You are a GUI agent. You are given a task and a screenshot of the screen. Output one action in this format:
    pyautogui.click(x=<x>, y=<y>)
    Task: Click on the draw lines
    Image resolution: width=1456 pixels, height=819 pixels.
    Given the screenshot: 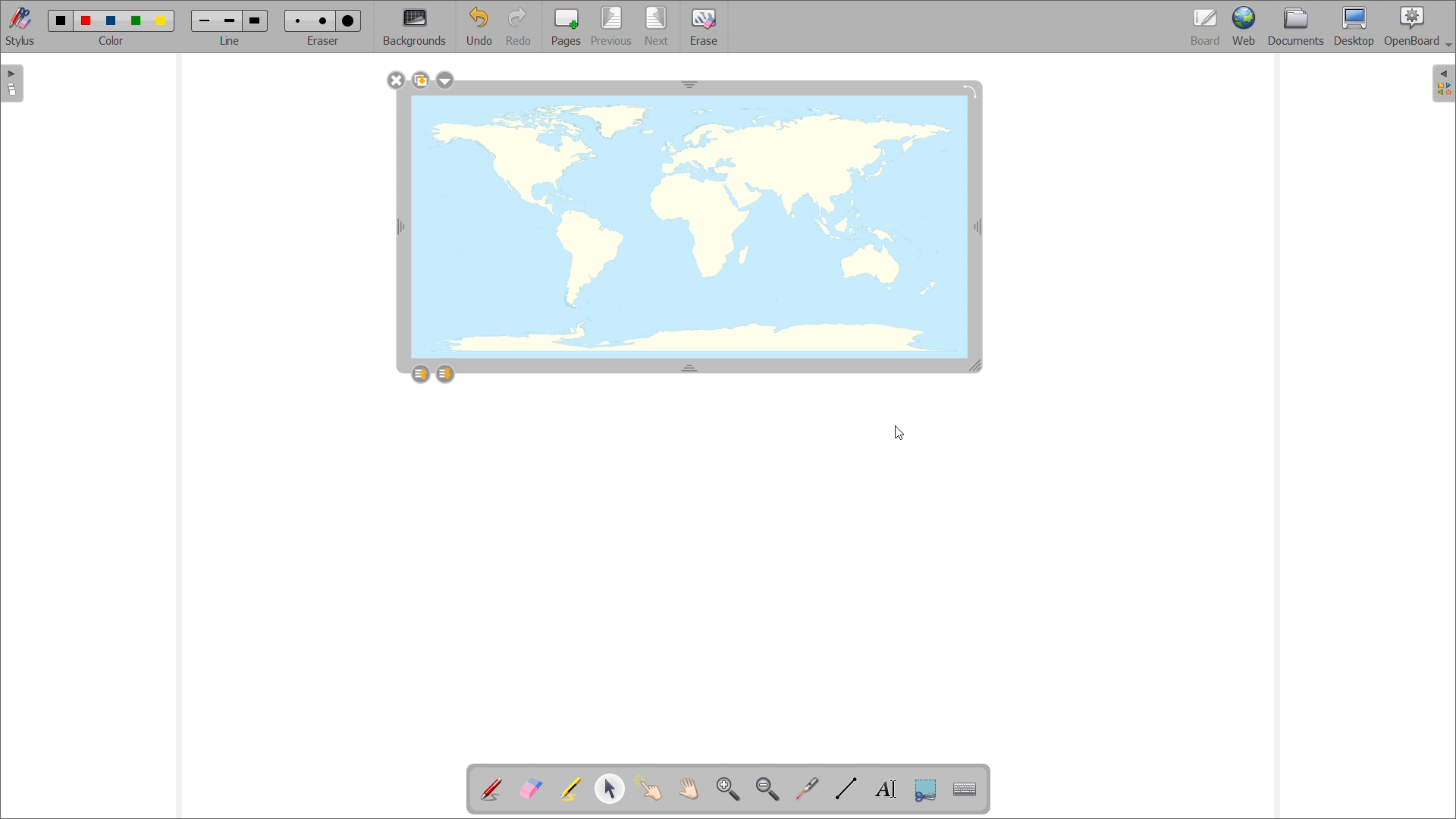 What is the action you would take?
    pyautogui.click(x=847, y=789)
    